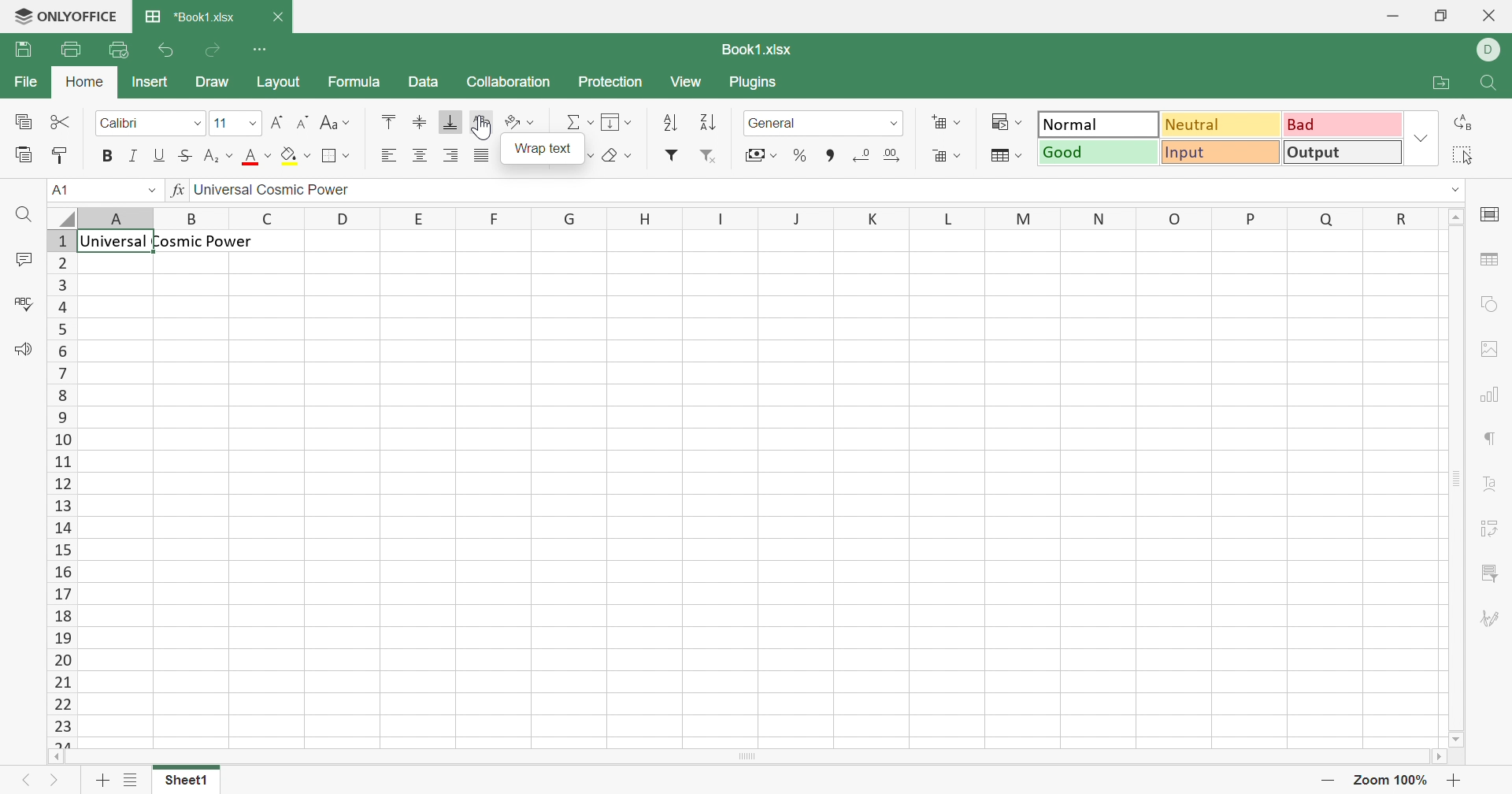 The height and width of the screenshot is (794, 1512). I want to click on Output, so click(1345, 151).